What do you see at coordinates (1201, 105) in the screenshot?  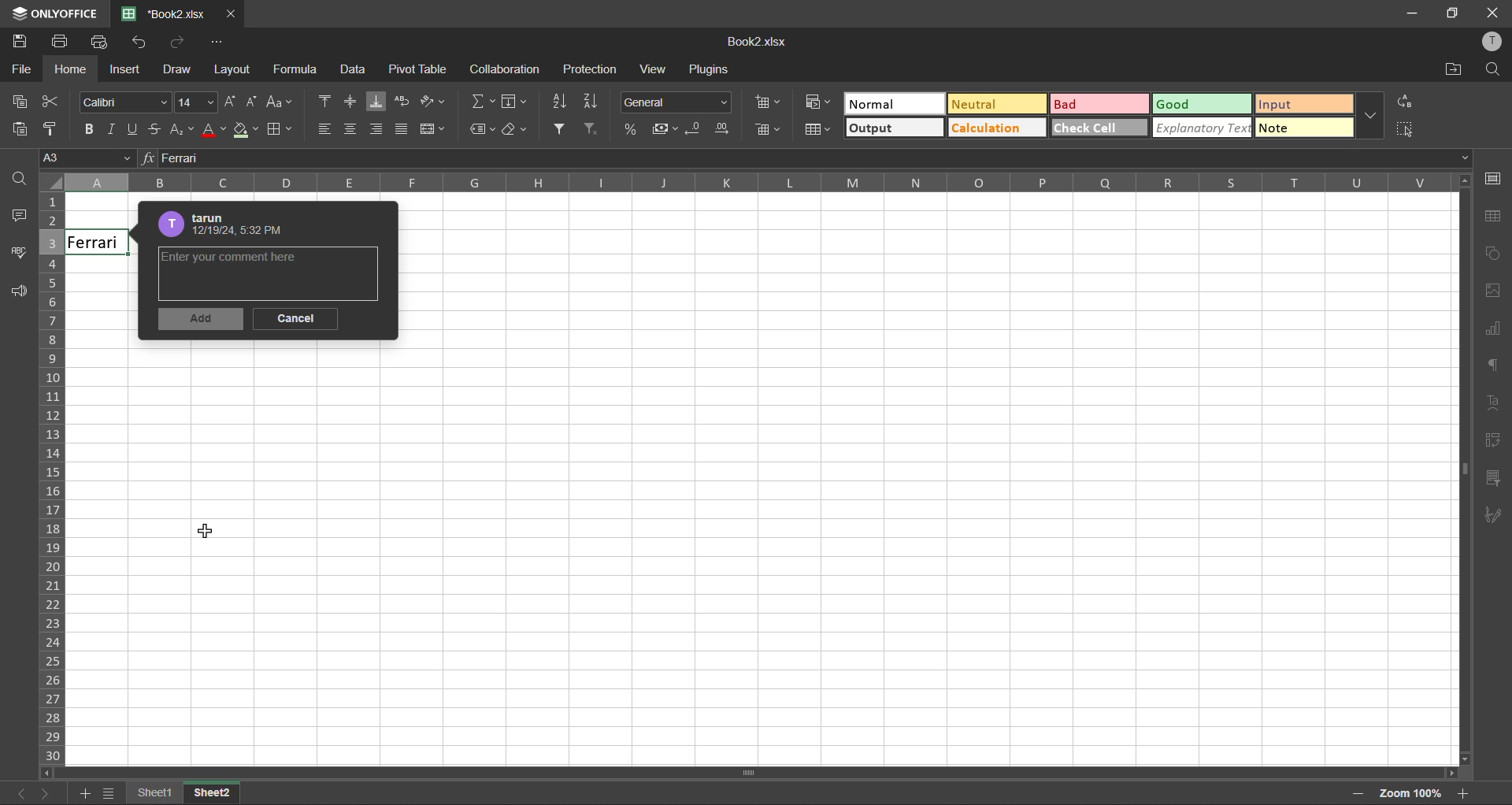 I see `good` at bounding box center [1201, 105].